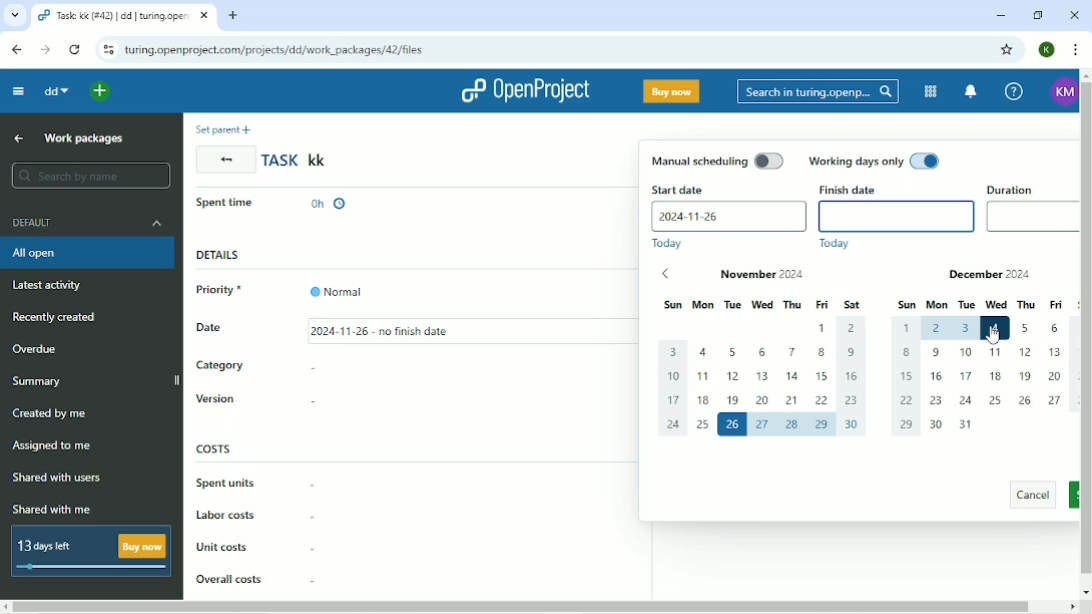 This screenshot has height=614, width=1092. Describe the element at coordinates (676, 273) in the screenshot. I see `previous dates` at that location.